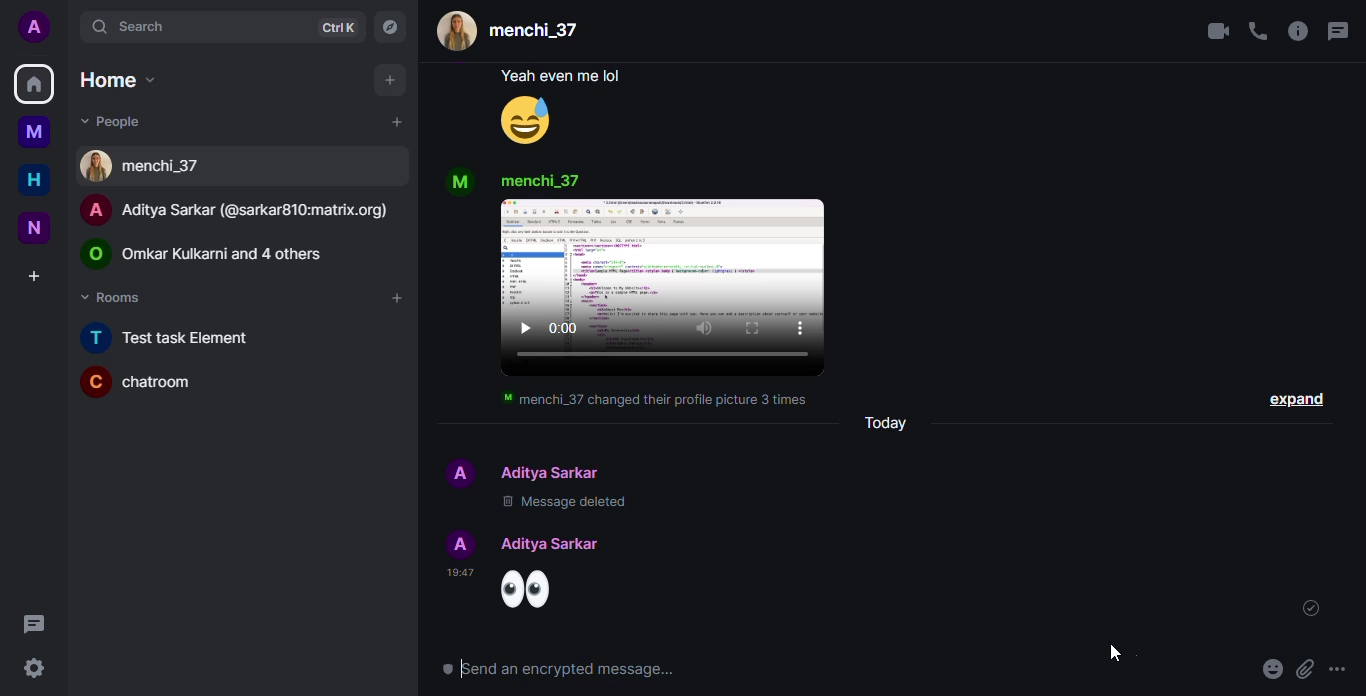  What do you see at coordinates (1122, 650) in the screenshot?
I see `cursor` at bounding box center [1122, 650].